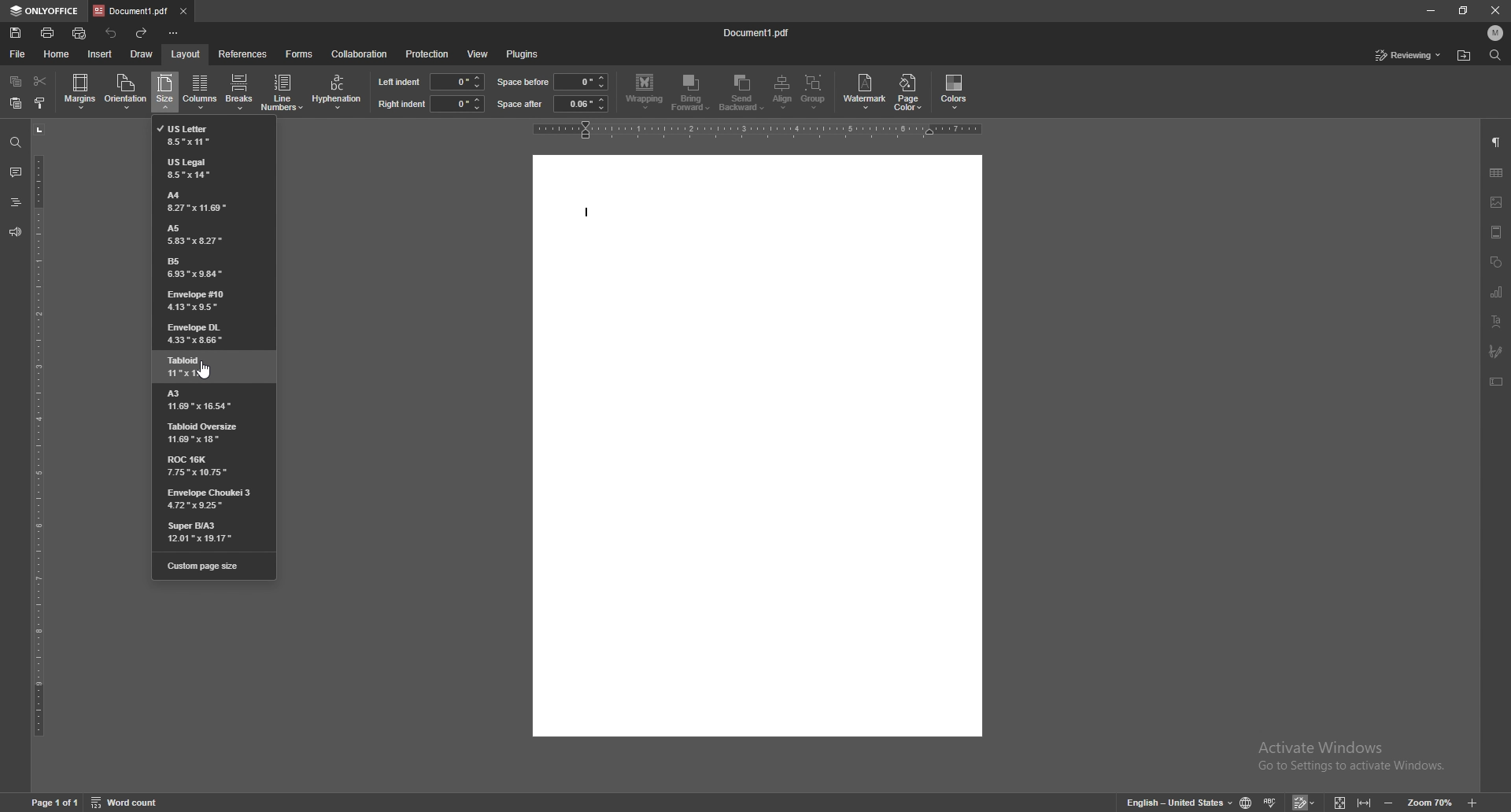 The width and height of the screenshot is (1511, 812). Describe the element at coordinates (645, 91) in the screenshot. I see `wrapping` at that location.